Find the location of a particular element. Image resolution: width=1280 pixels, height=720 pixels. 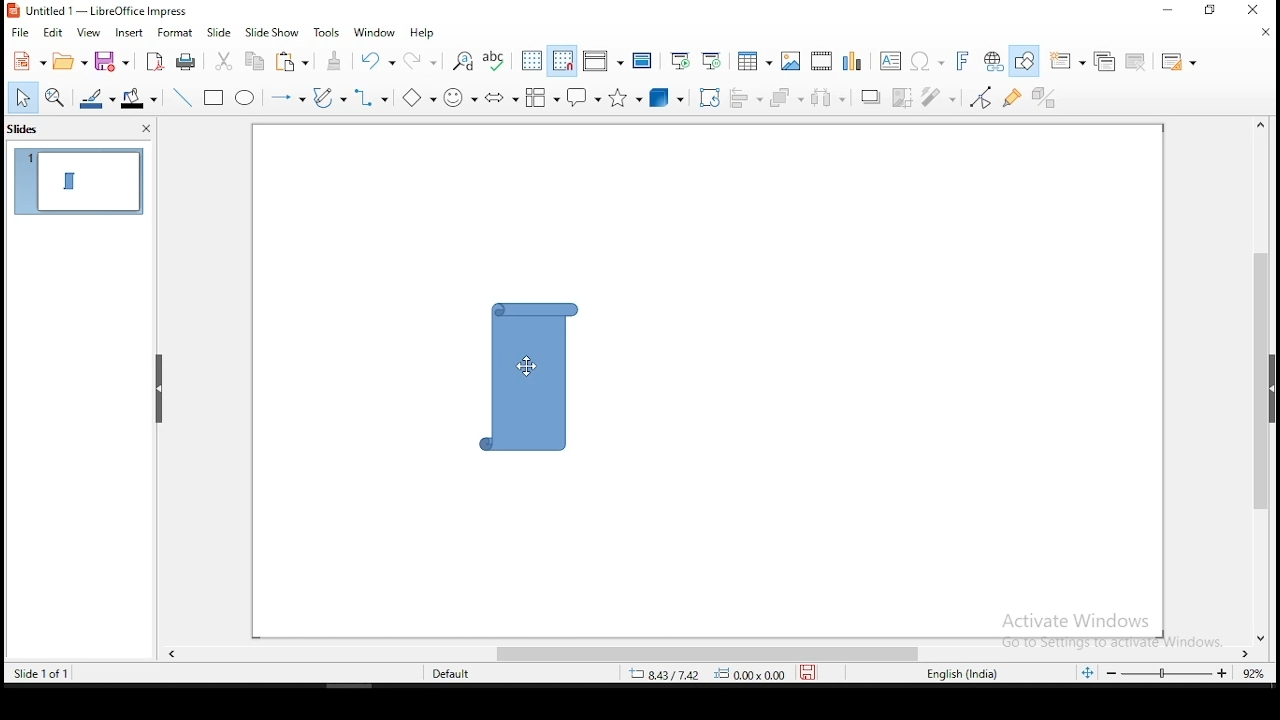

insert font work text is located at coordinates (963, 61).